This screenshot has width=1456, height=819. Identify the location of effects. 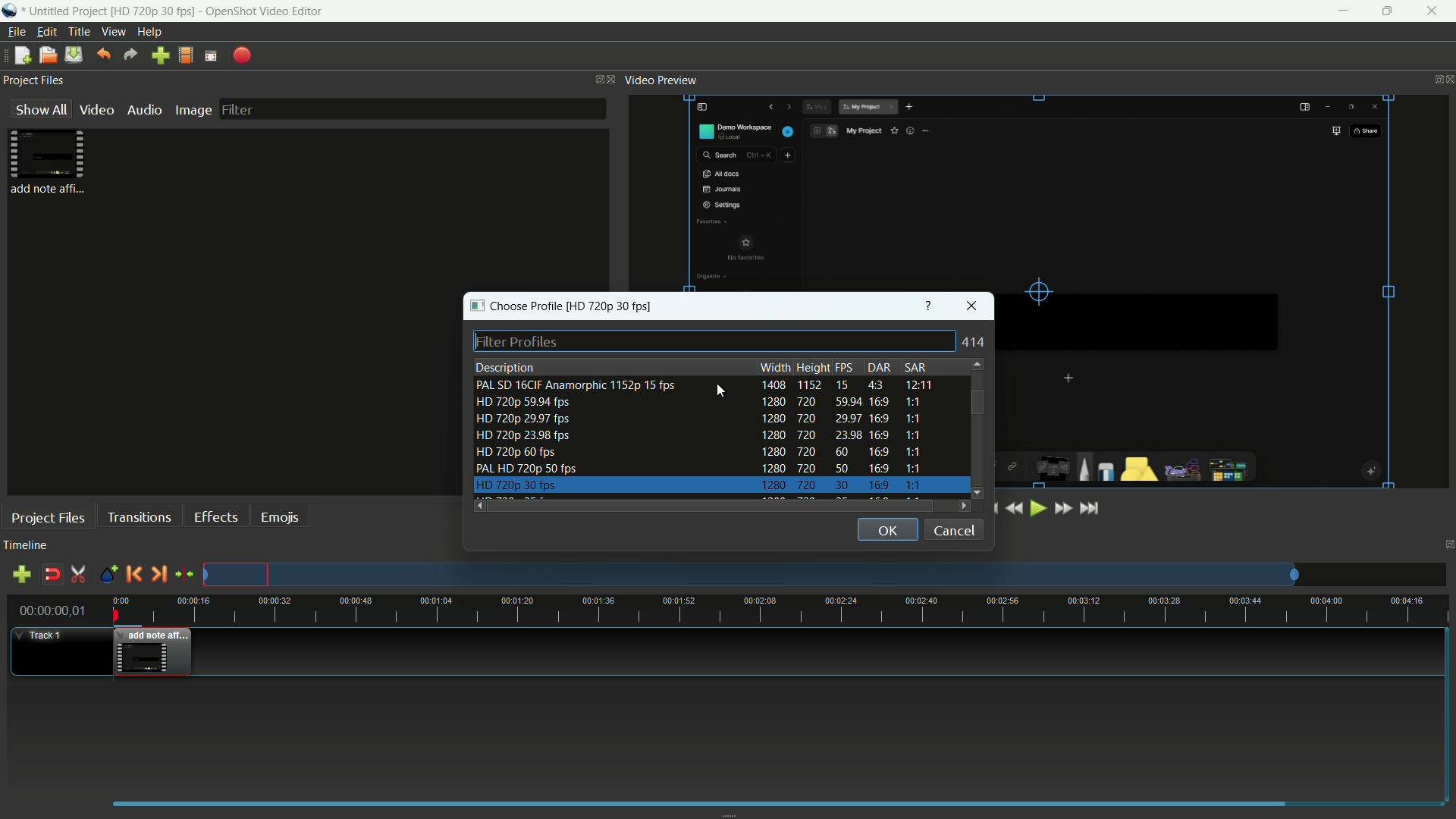
(215, 516).